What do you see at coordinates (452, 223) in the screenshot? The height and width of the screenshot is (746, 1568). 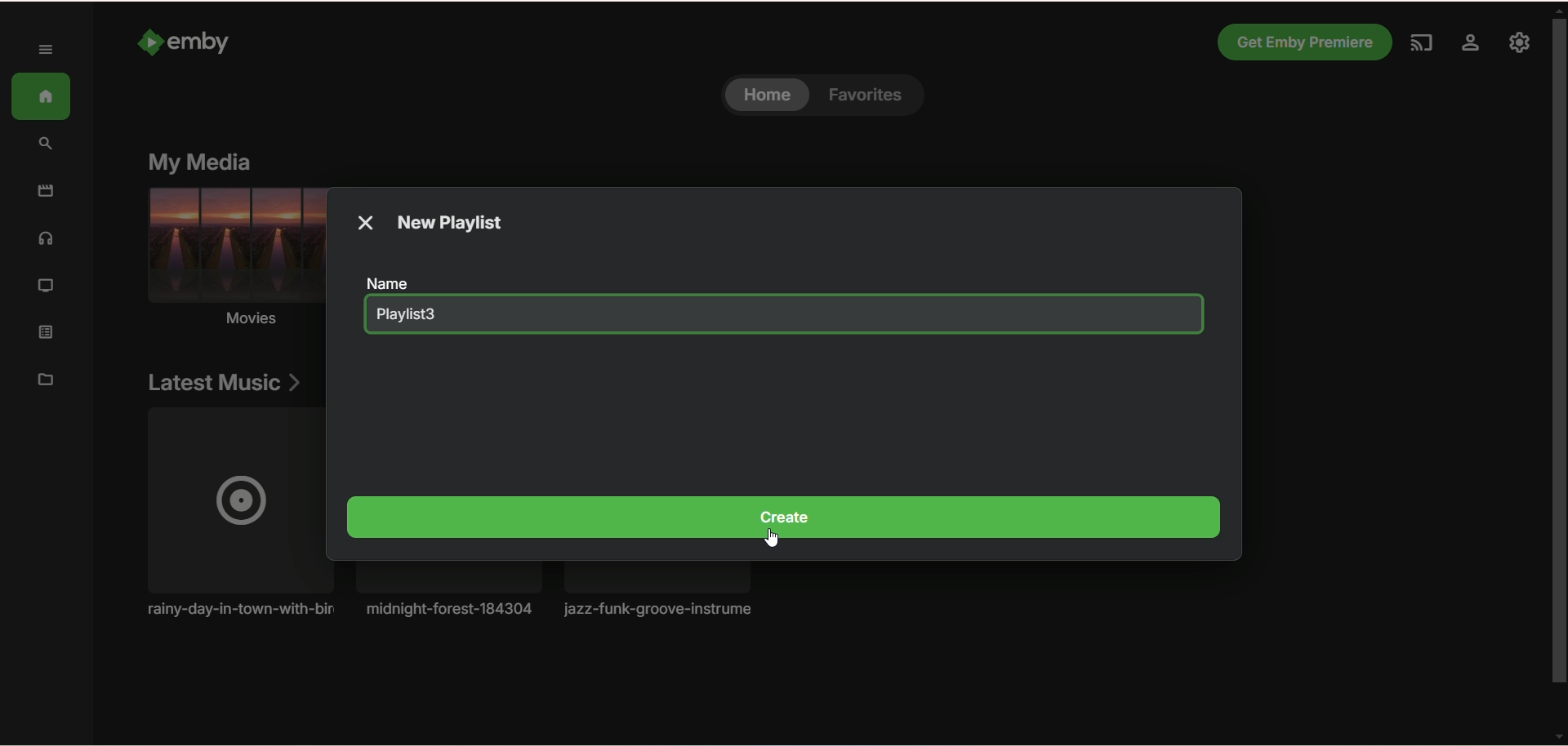 I see `new playlist` at bounding box center [452, 223].